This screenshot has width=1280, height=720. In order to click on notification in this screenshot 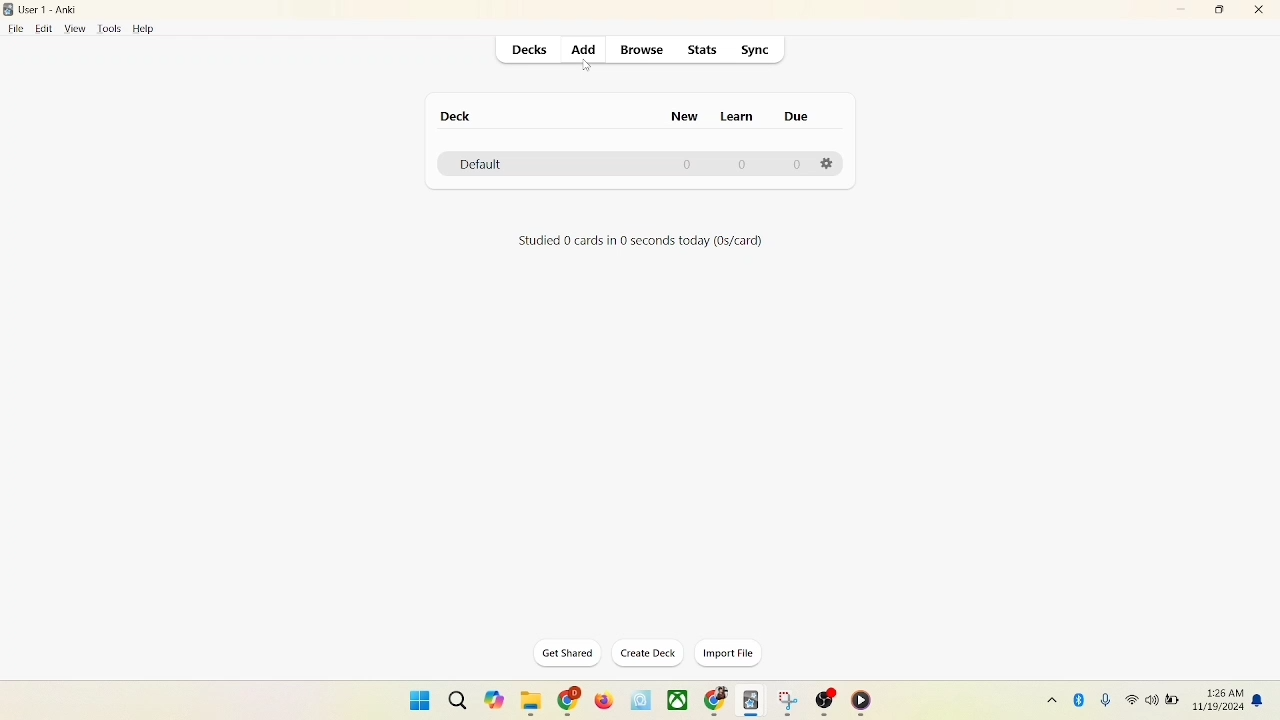, I will do `click(1259, 700)`.